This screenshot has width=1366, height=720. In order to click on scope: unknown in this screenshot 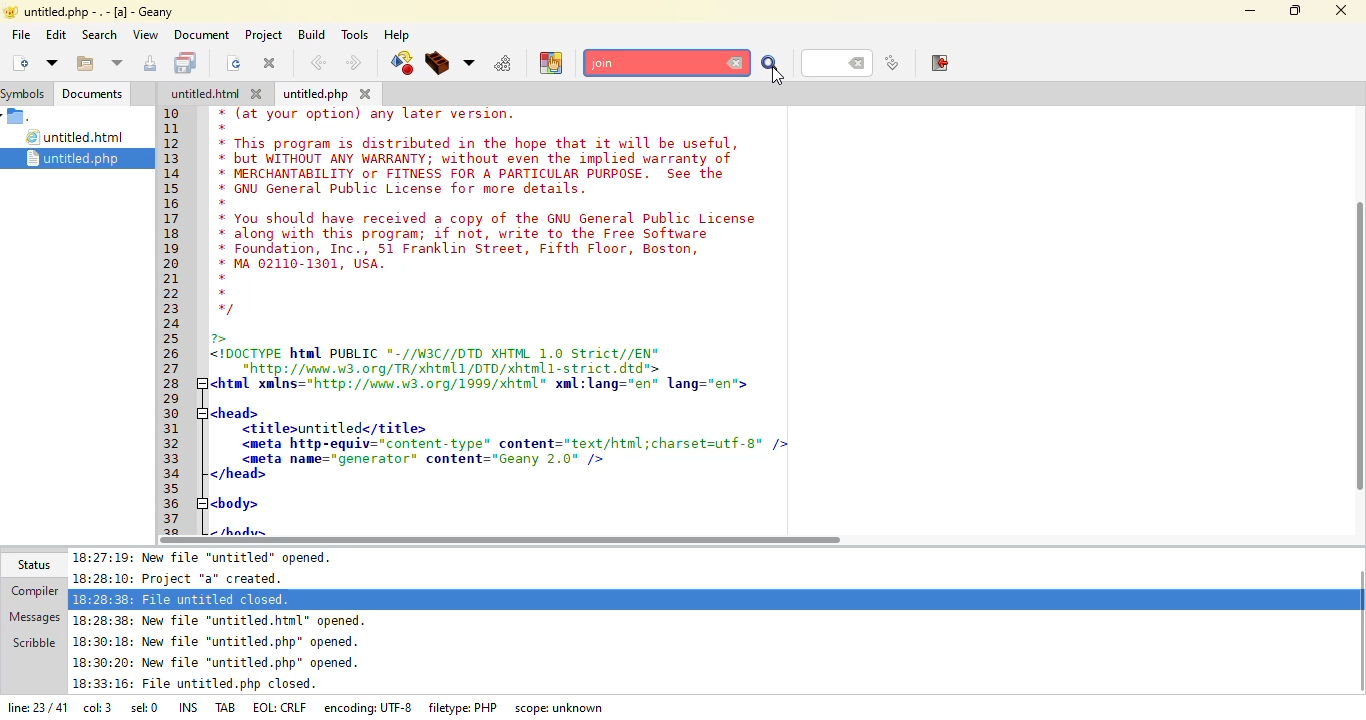, I will do `click(561, 708)`.